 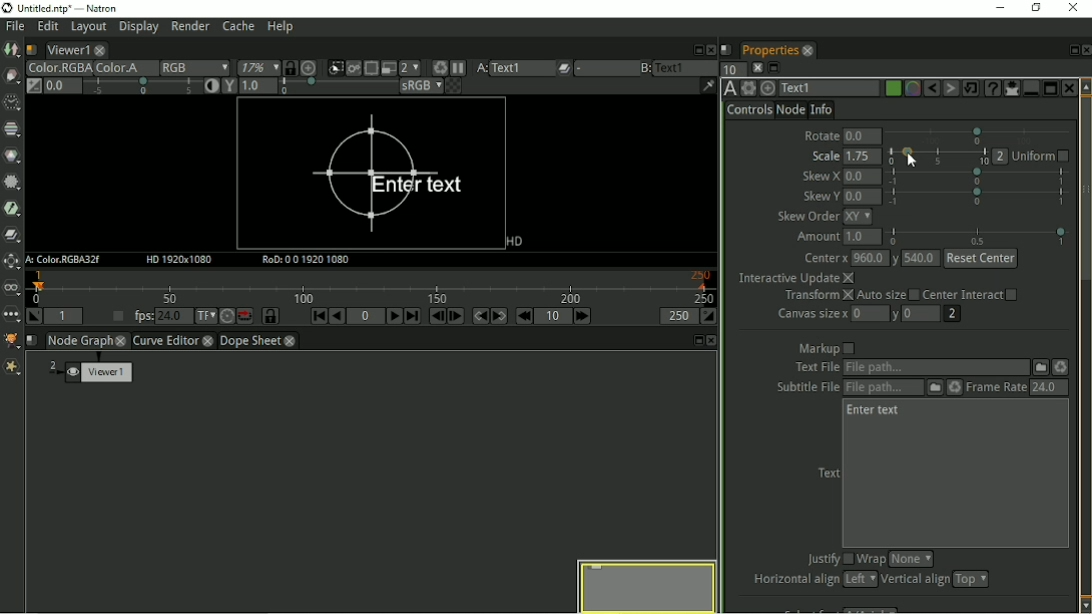 What do you see at coordinates (926, 367) in the screenshot?
I see `Text file` at bounding box center [926, 367].